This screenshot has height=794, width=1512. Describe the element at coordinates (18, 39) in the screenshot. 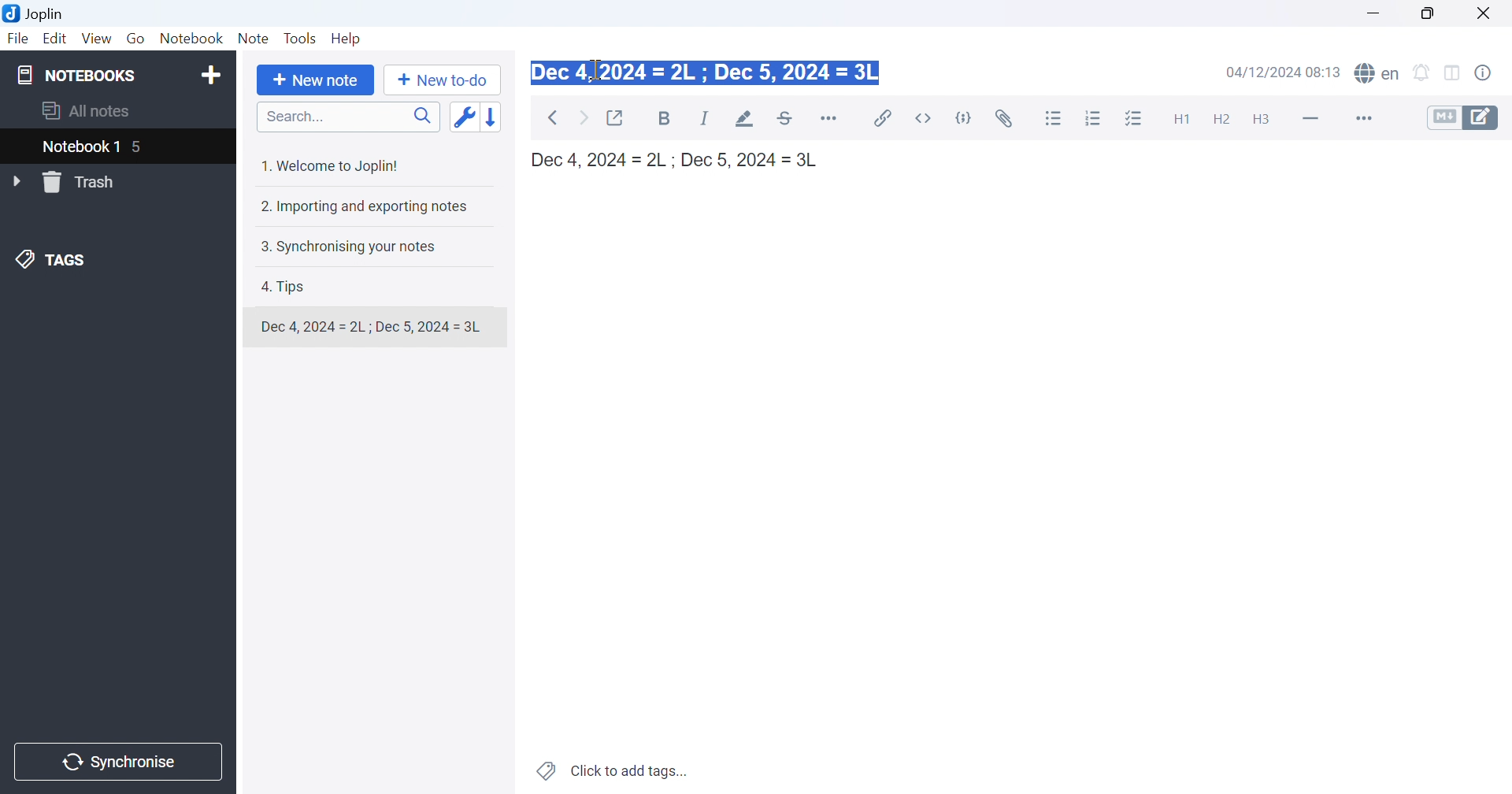

I see `File` at that location.